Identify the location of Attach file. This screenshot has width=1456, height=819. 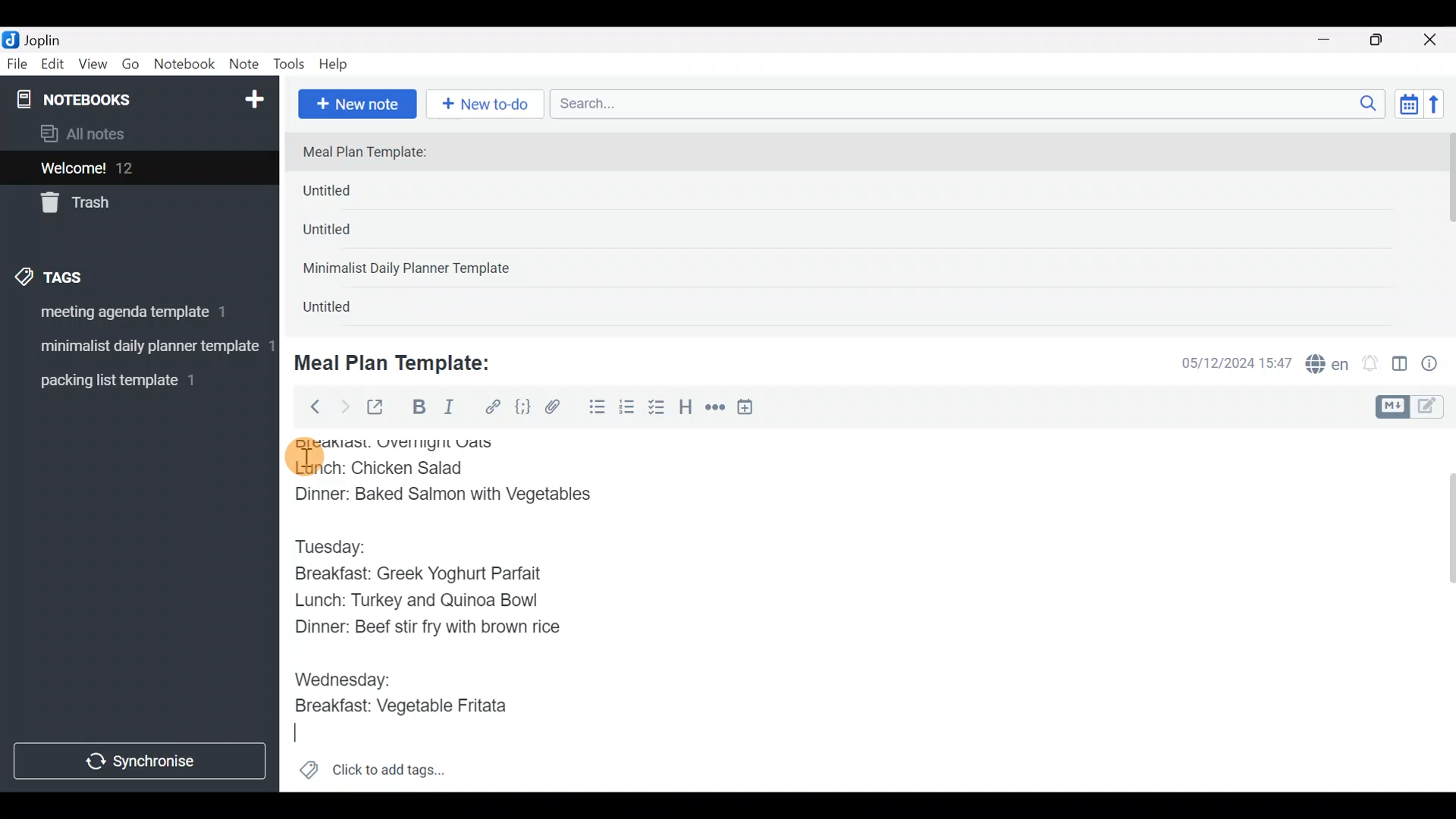
(557, 409).